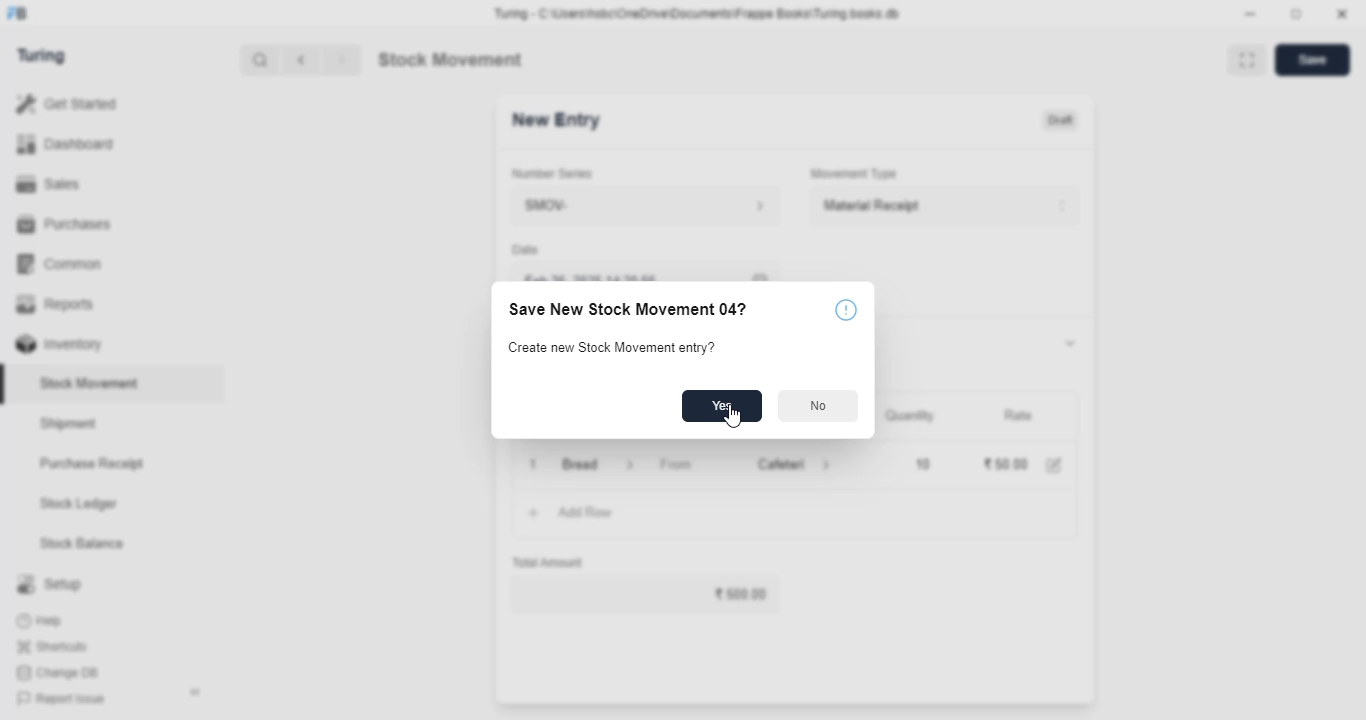 This screenshot has height=720, width=1366. I want to click on draft, so click(1062, 120).